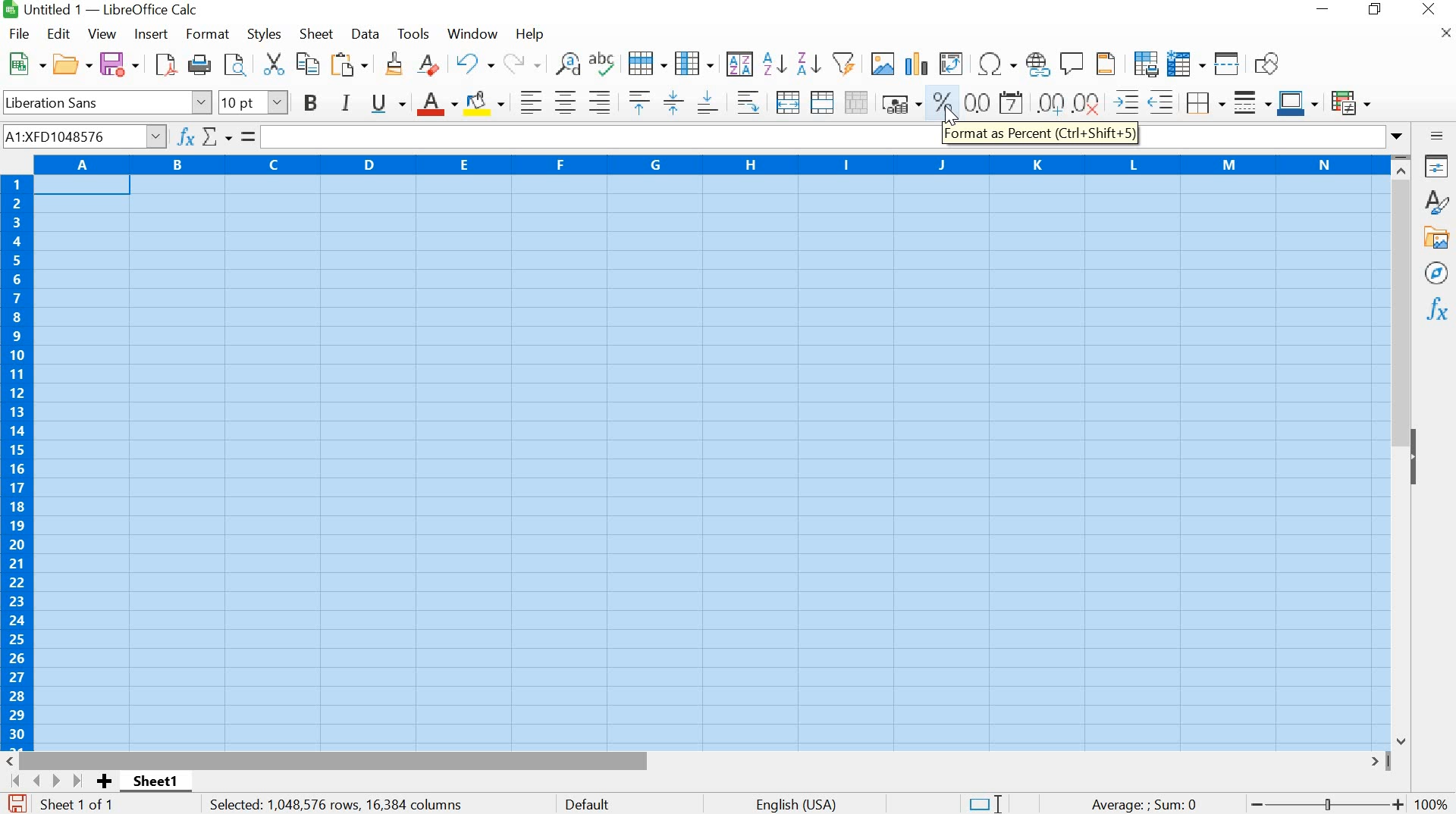 This screenshot has height=814, width=1456. Describe the element at coordinates (104, 32) in the screenshot. I see `VIEW` at that location.